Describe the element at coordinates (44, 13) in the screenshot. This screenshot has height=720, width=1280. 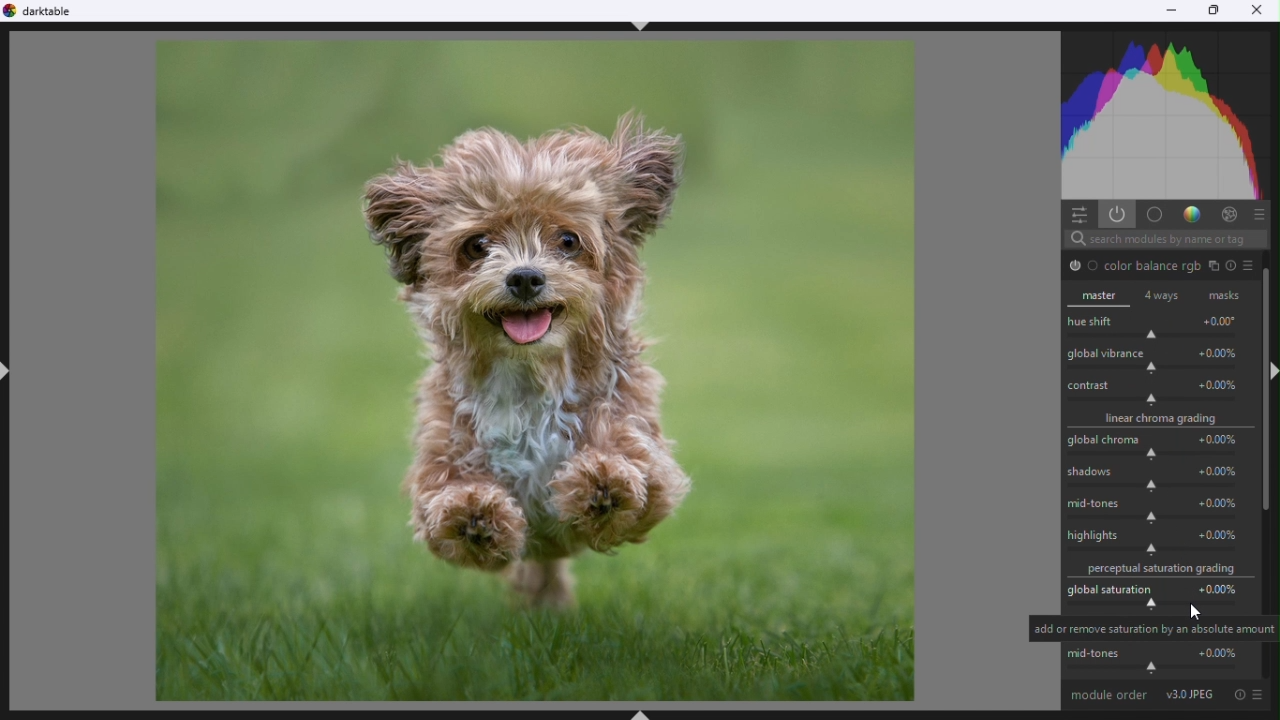
I see `Dark table` at that location.